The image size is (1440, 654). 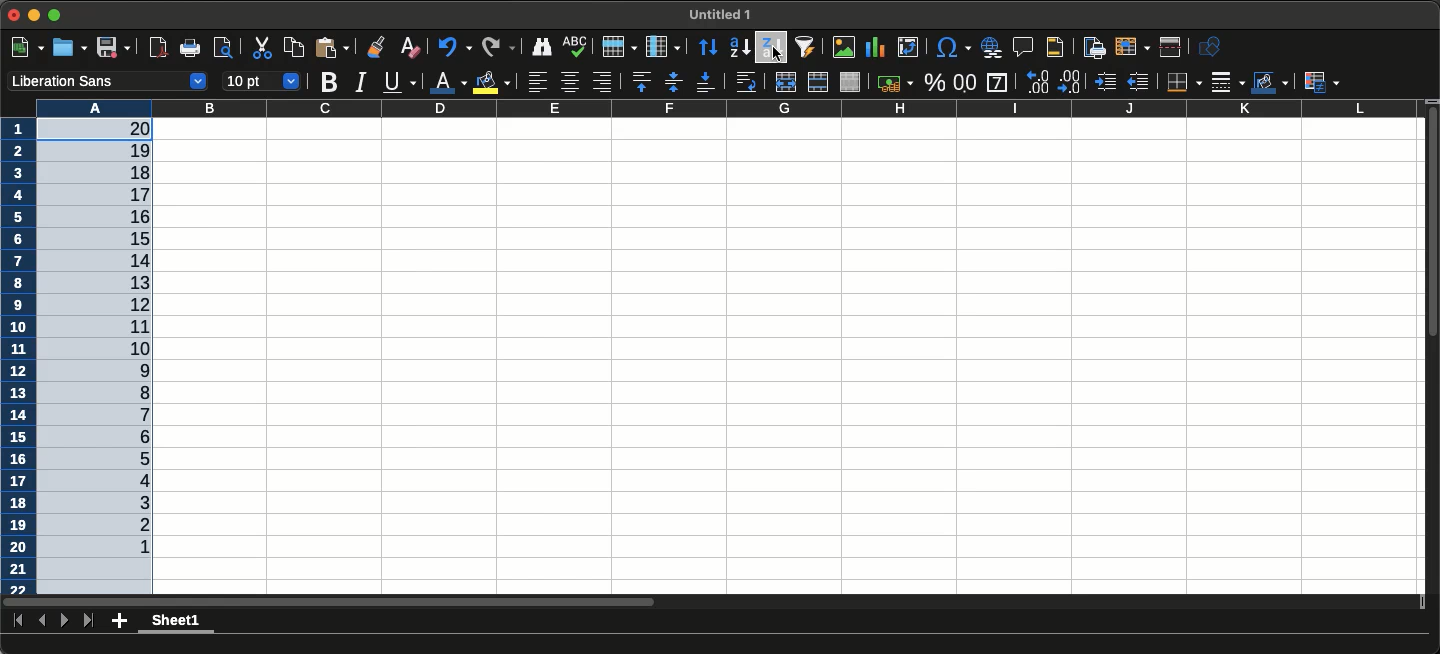 What do you see at coordinates (934, 82) in the screenshot?
I see `Format as percent` at bounding box center [934, 82].